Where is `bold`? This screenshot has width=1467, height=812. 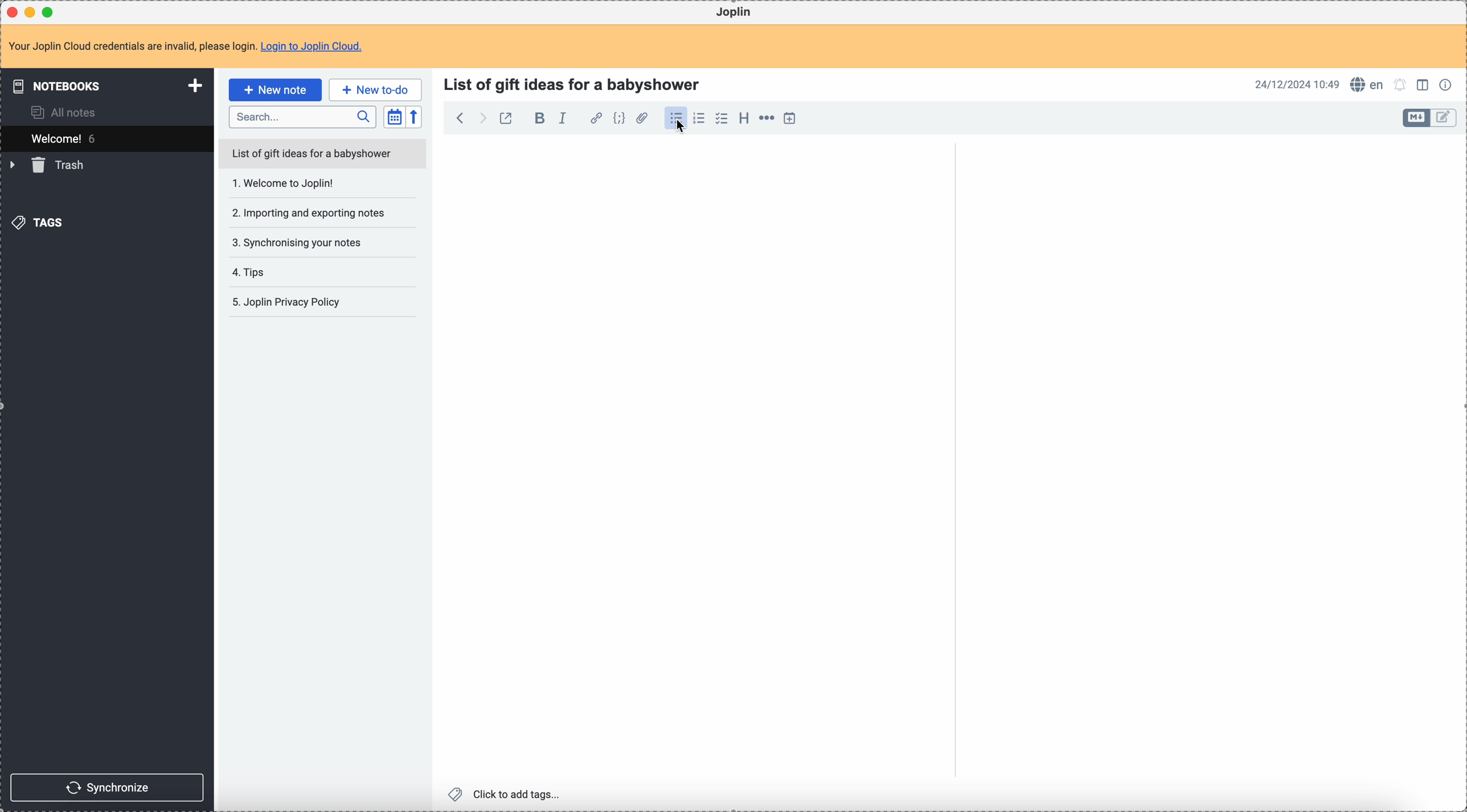 bold is located at coordinates (539, 120).